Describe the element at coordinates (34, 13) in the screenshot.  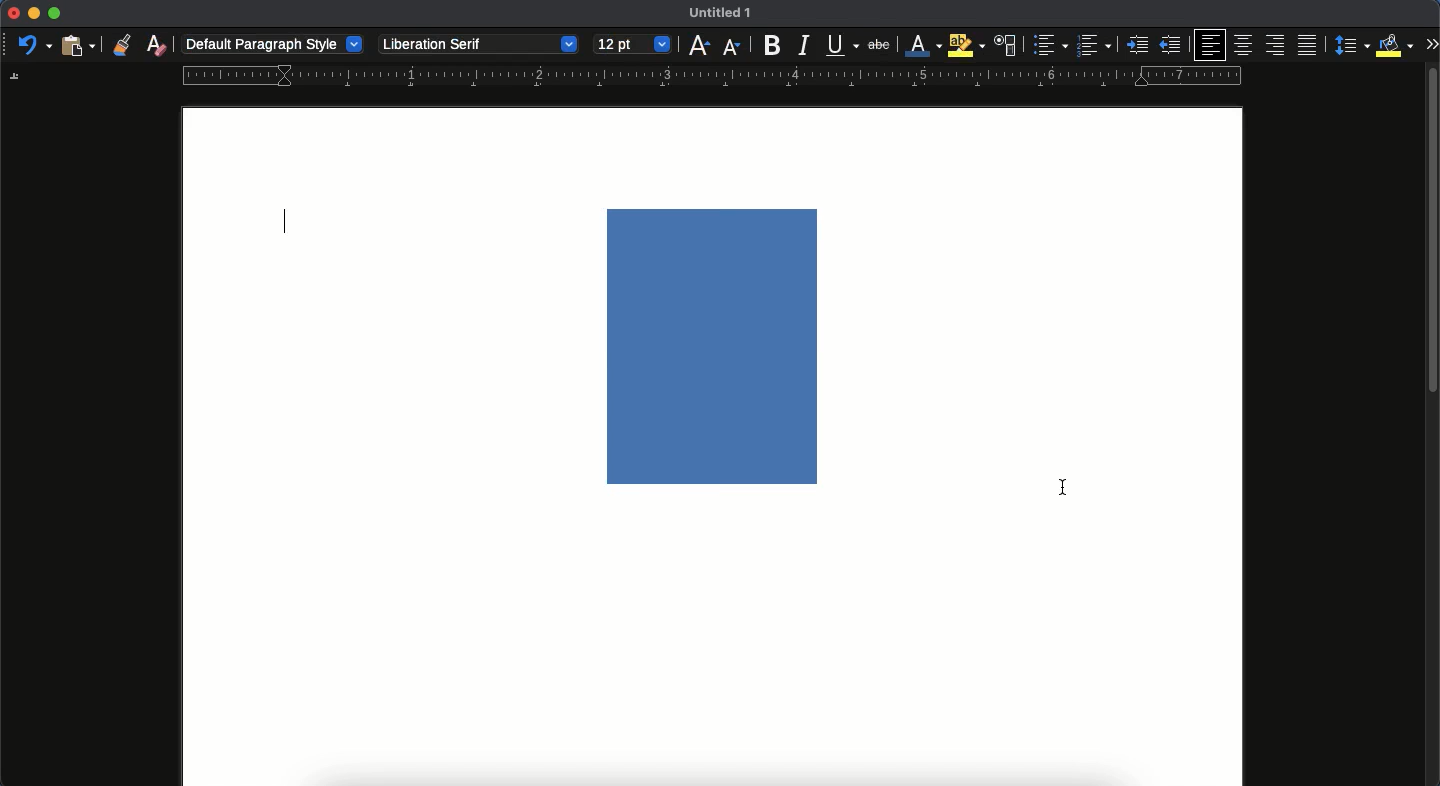
I see `minimize ` at that location.